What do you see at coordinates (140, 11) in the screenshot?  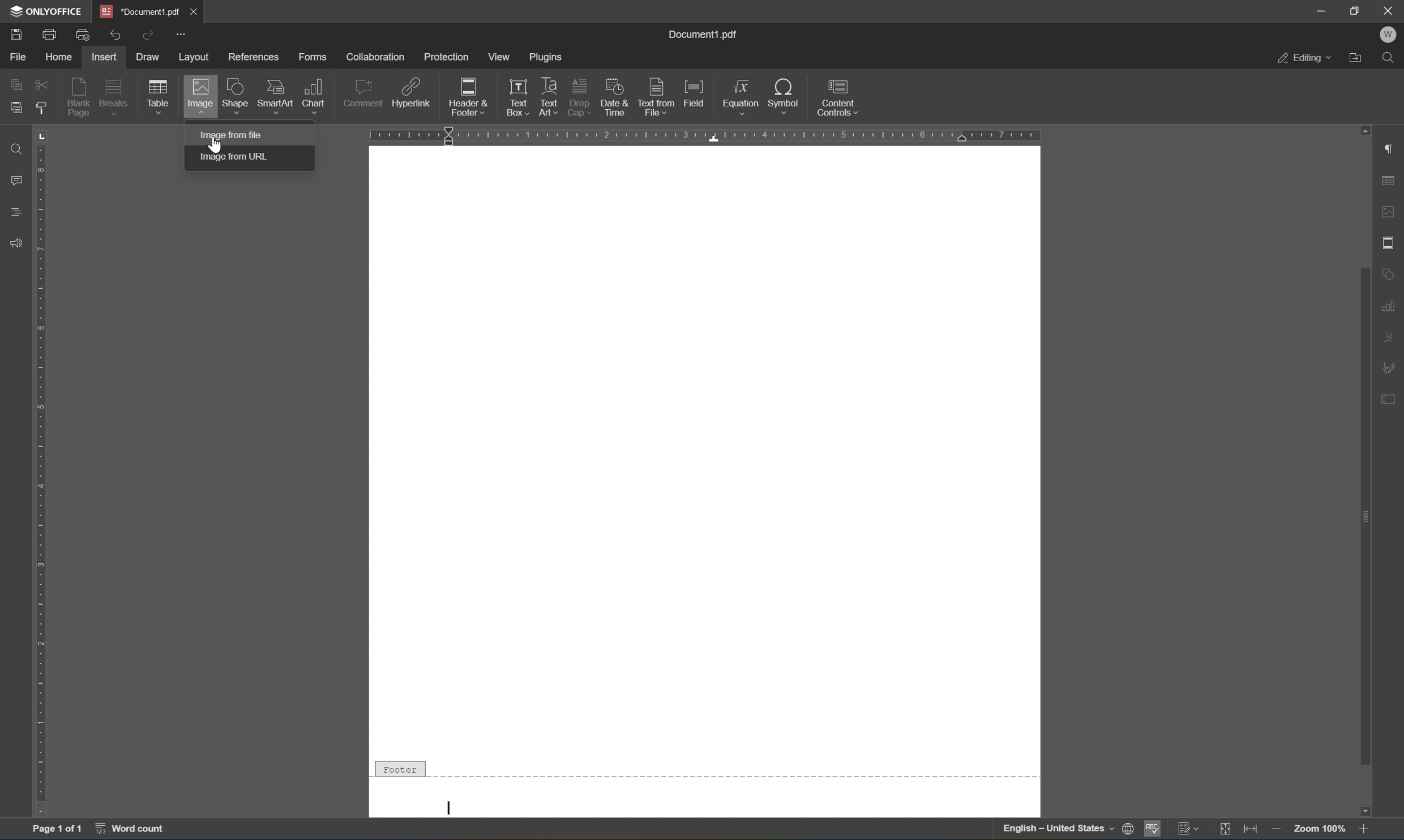 I see `document.pdf` at bounding box center [140, 11].